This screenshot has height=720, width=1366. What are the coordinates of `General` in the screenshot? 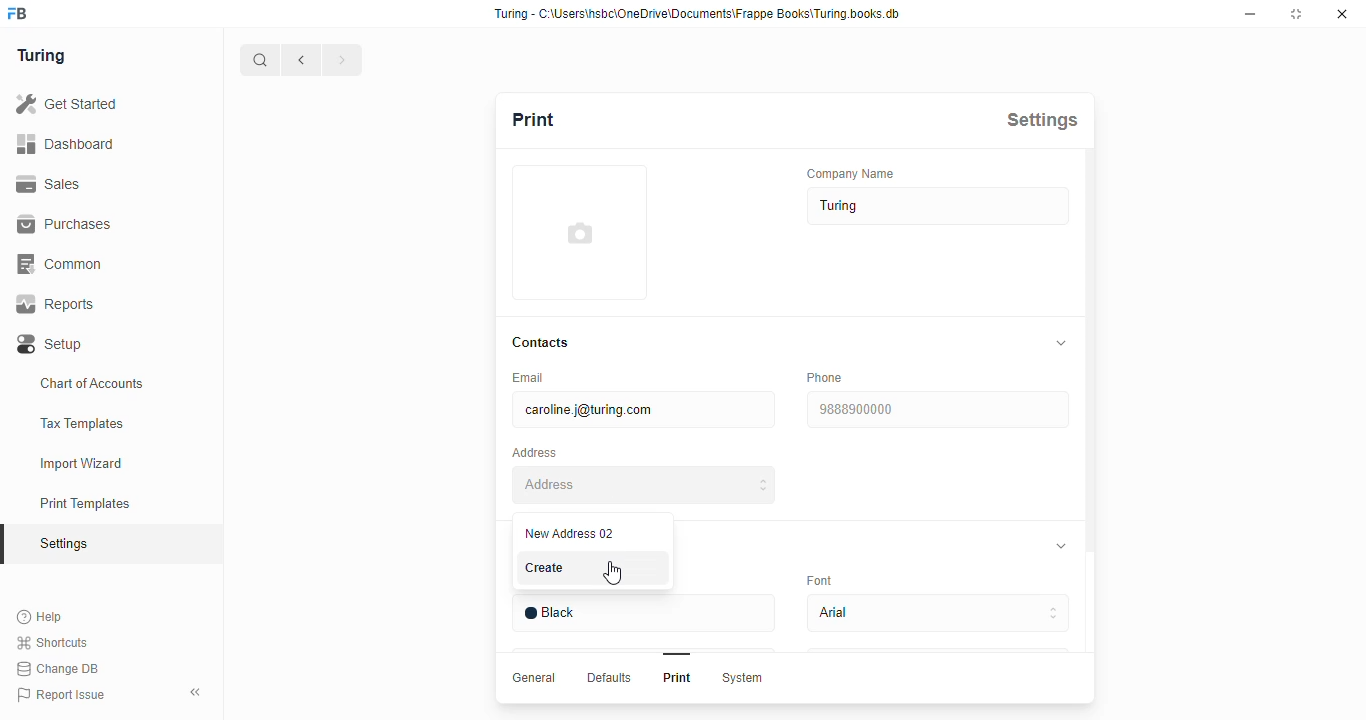 It's located at (536, 678).